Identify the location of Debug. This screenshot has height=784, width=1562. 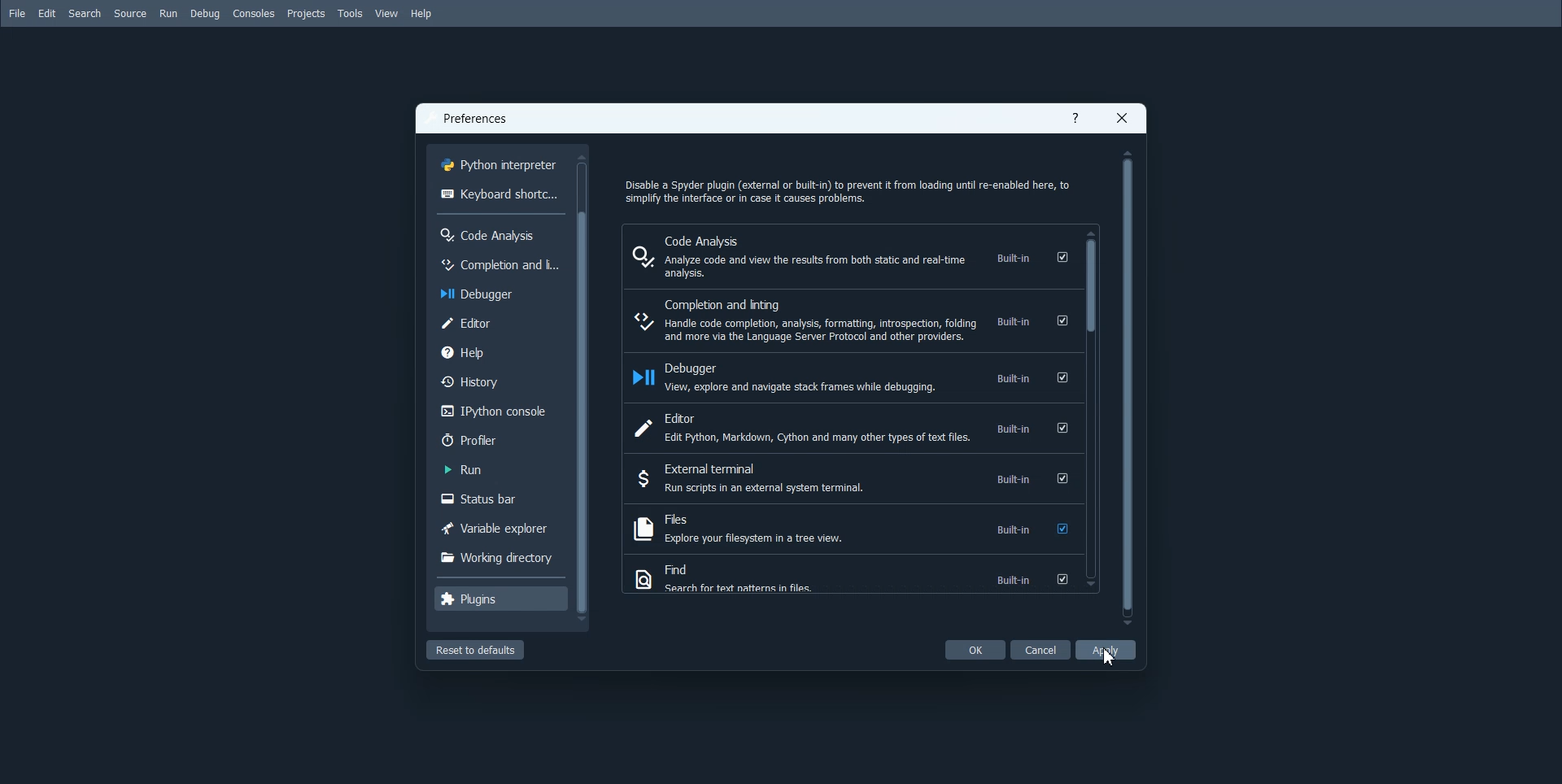
(206, 14).